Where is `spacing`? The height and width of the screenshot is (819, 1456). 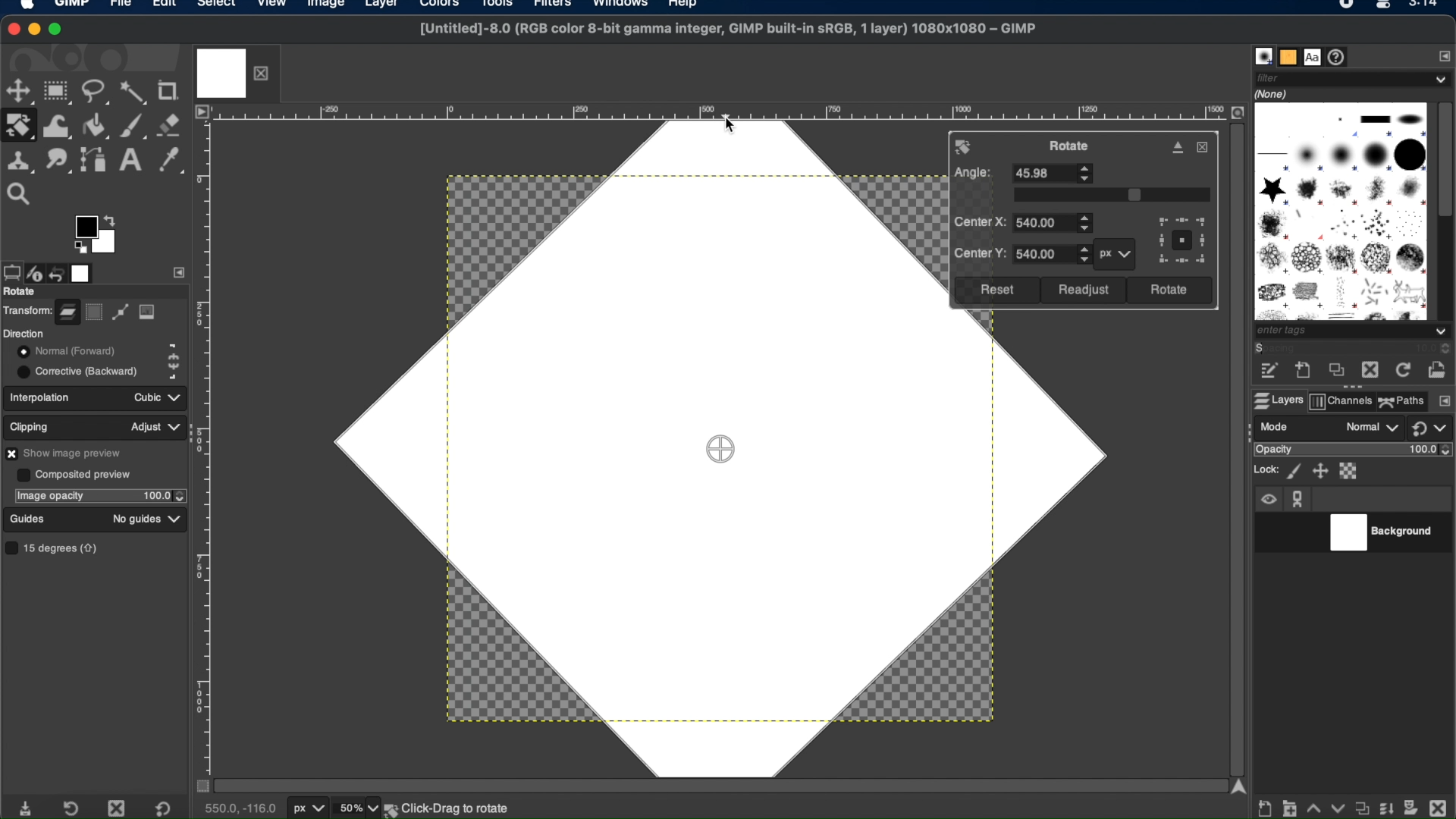
spacing is located at coordinates (1292, 350).